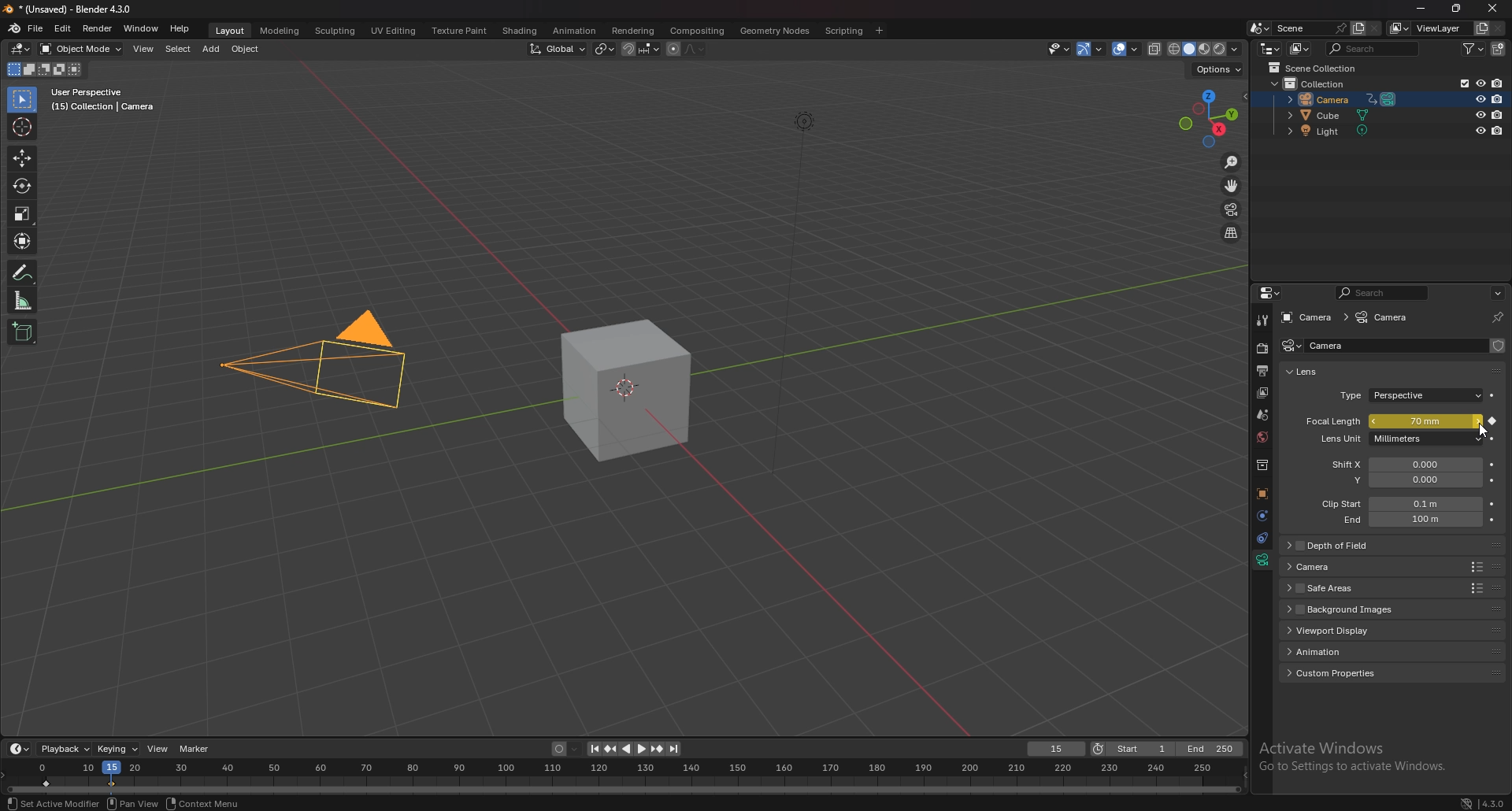 The height and width of the screenshot is (811, 1512). I want to click on viewport shading, so click(1205, 50).